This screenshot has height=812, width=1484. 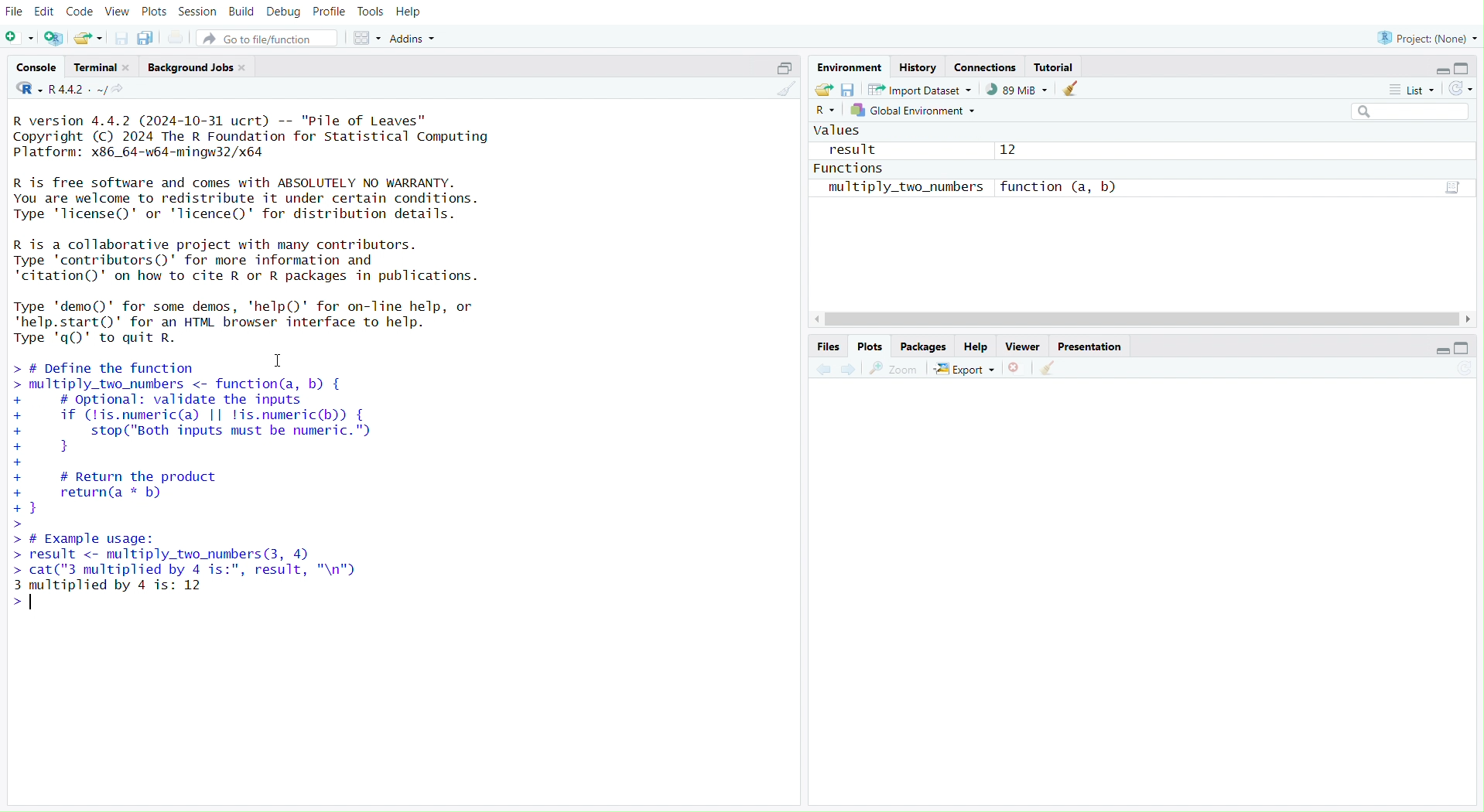 I want to click on Presentation, so click(x=1090, y=347).